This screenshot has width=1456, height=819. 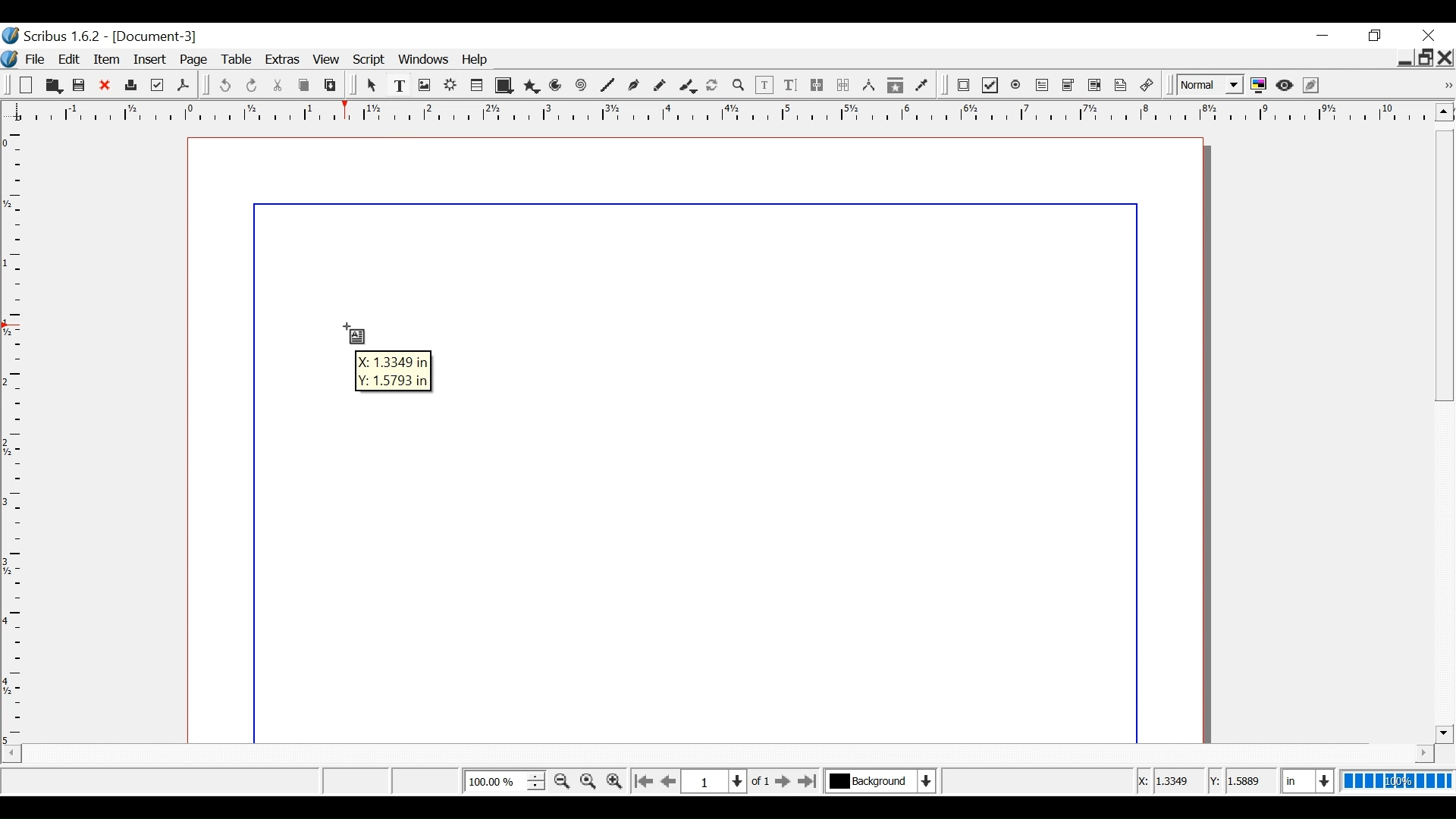 What do you see at coordinates (1446, 57) in the screenshot?
I see `Close` at bounding box center [1446, 57].